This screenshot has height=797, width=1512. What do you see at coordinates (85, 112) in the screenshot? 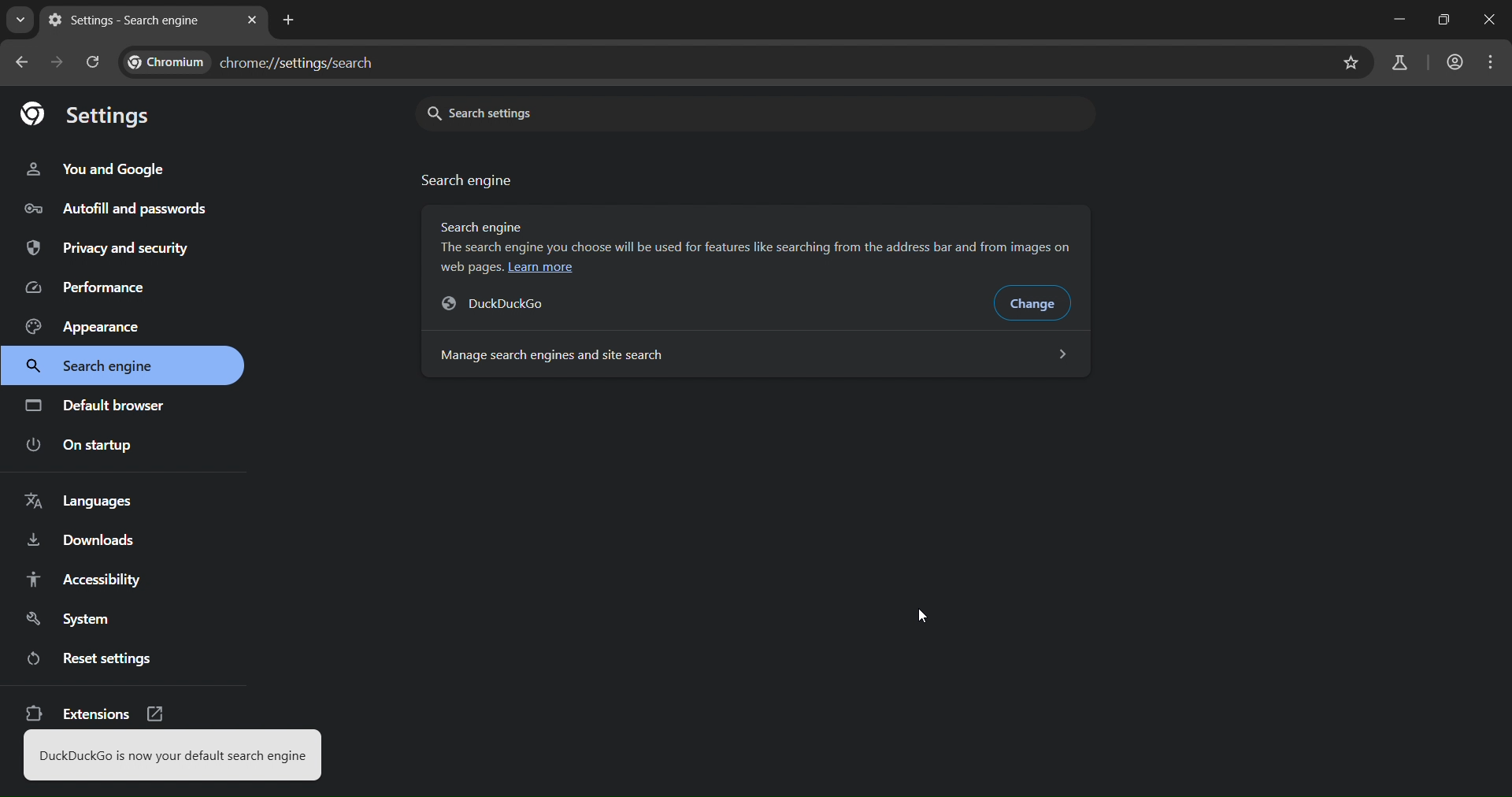
I see `settings` at bounding box center [85, 112].